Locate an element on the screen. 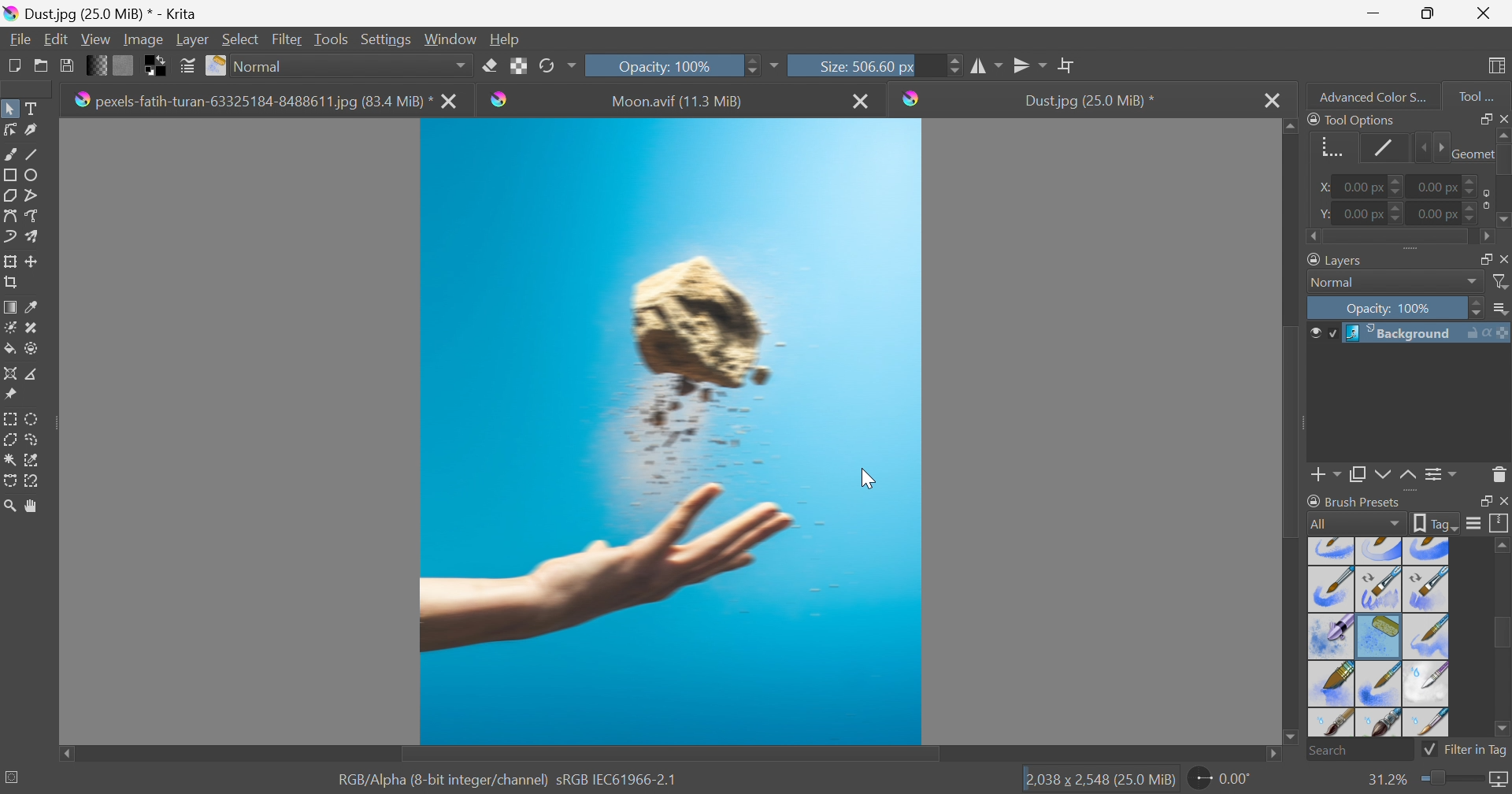 This screenshot has height=794, width=1512. Minimize is located at coordinates (1373, 12).